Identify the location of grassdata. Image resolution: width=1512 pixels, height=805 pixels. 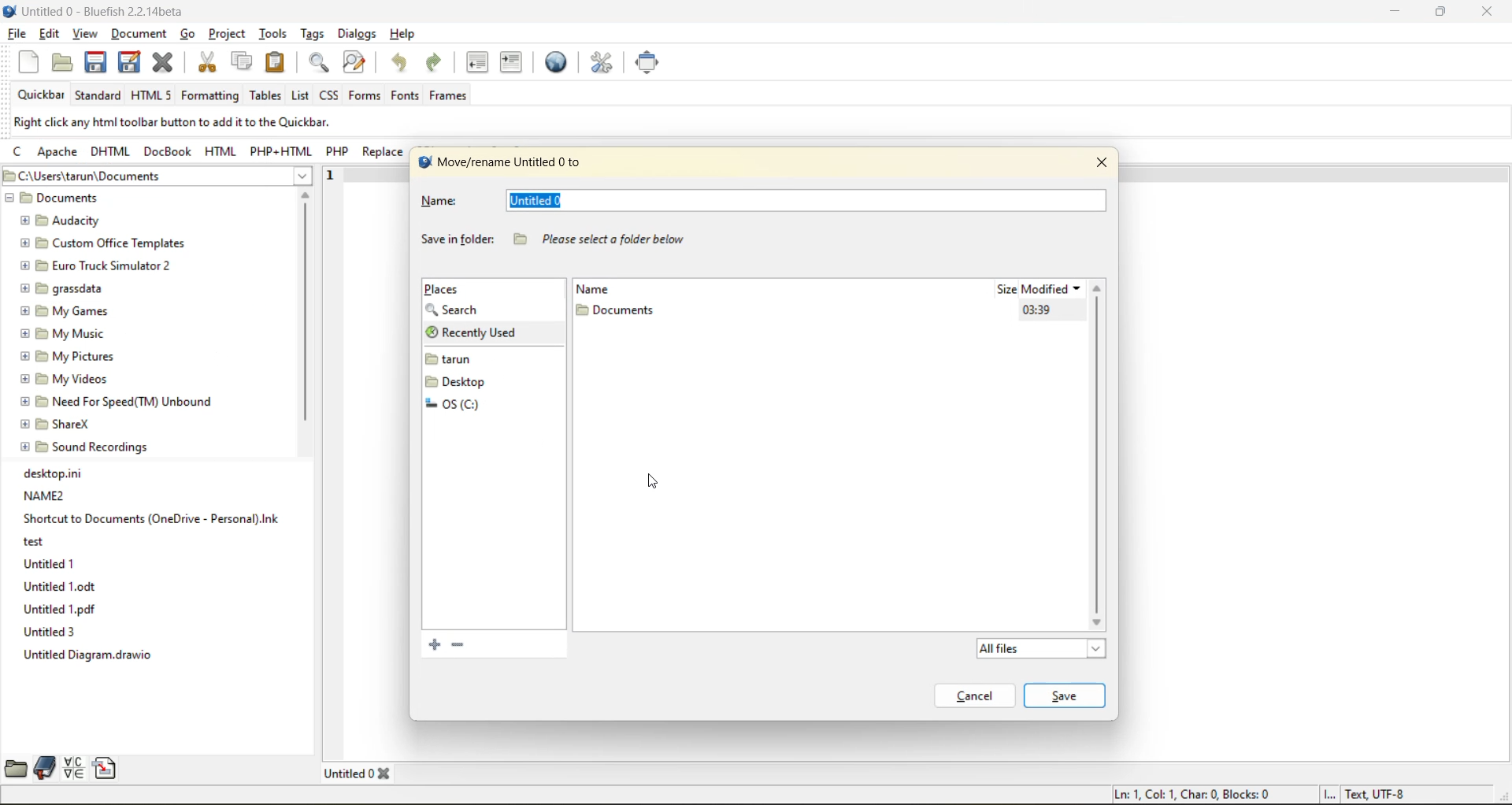
(68, 287).